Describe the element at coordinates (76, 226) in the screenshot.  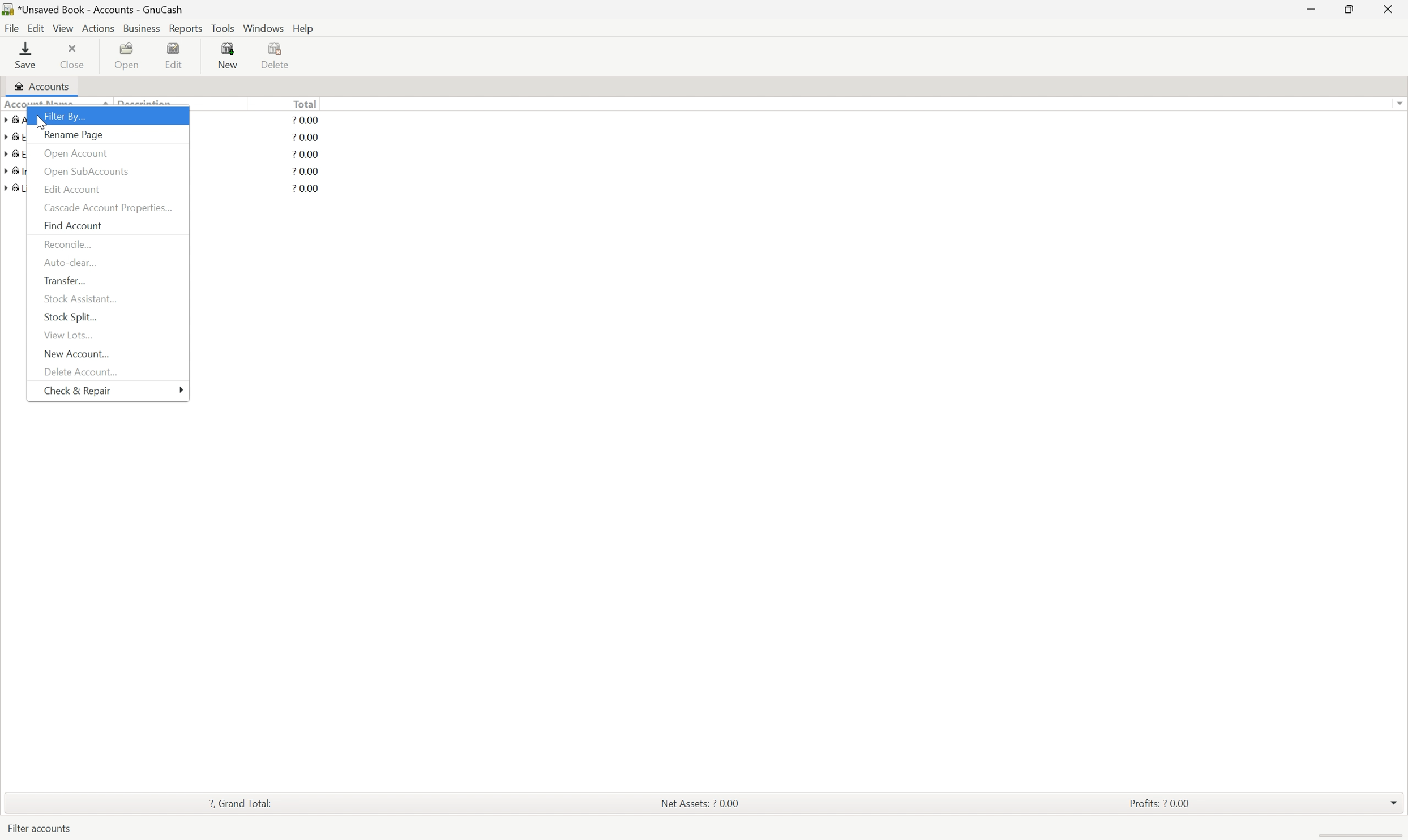
I see `Find Account` at that location.